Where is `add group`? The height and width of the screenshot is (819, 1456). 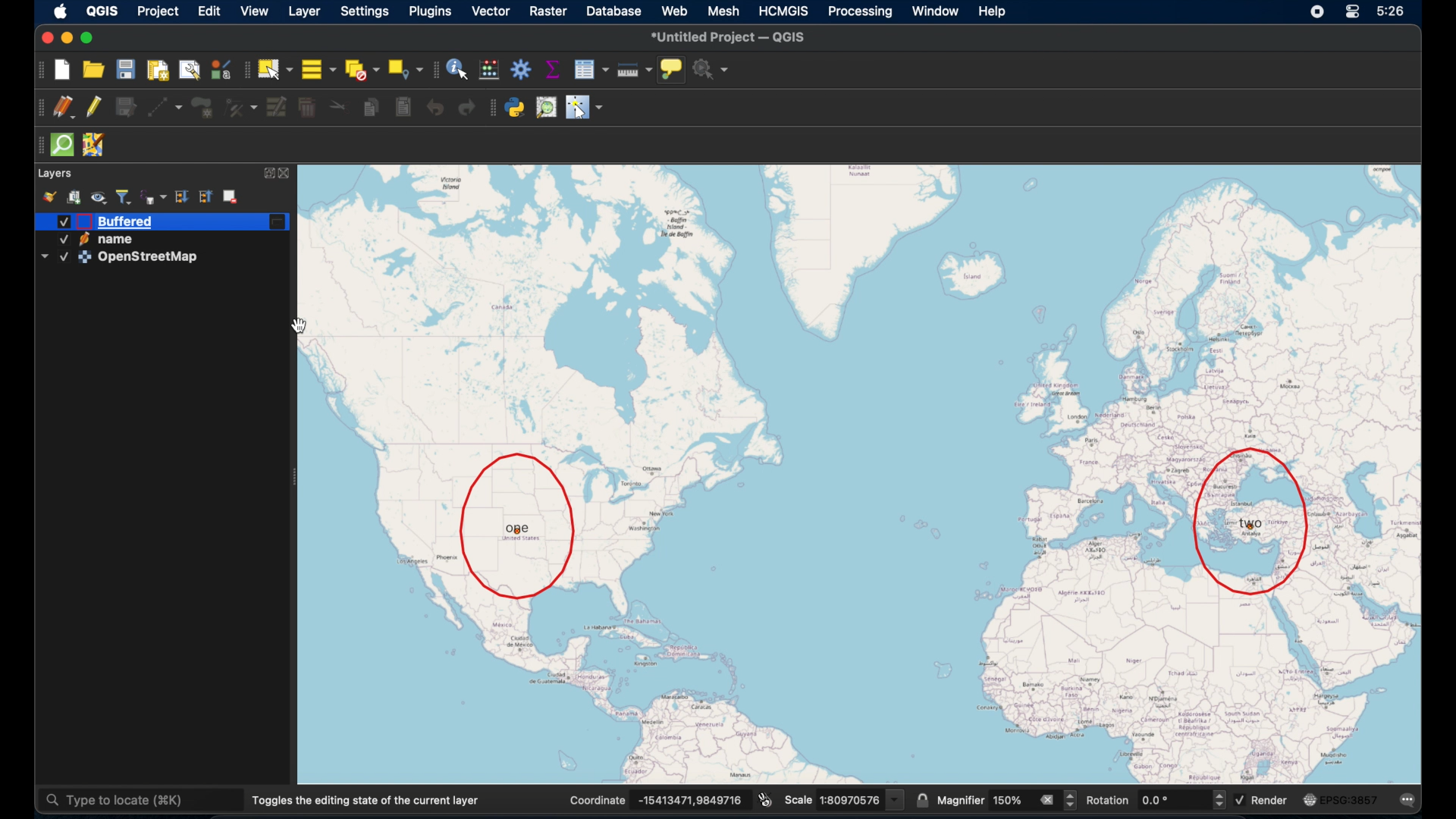 add group is located at coordinates (74, 195).